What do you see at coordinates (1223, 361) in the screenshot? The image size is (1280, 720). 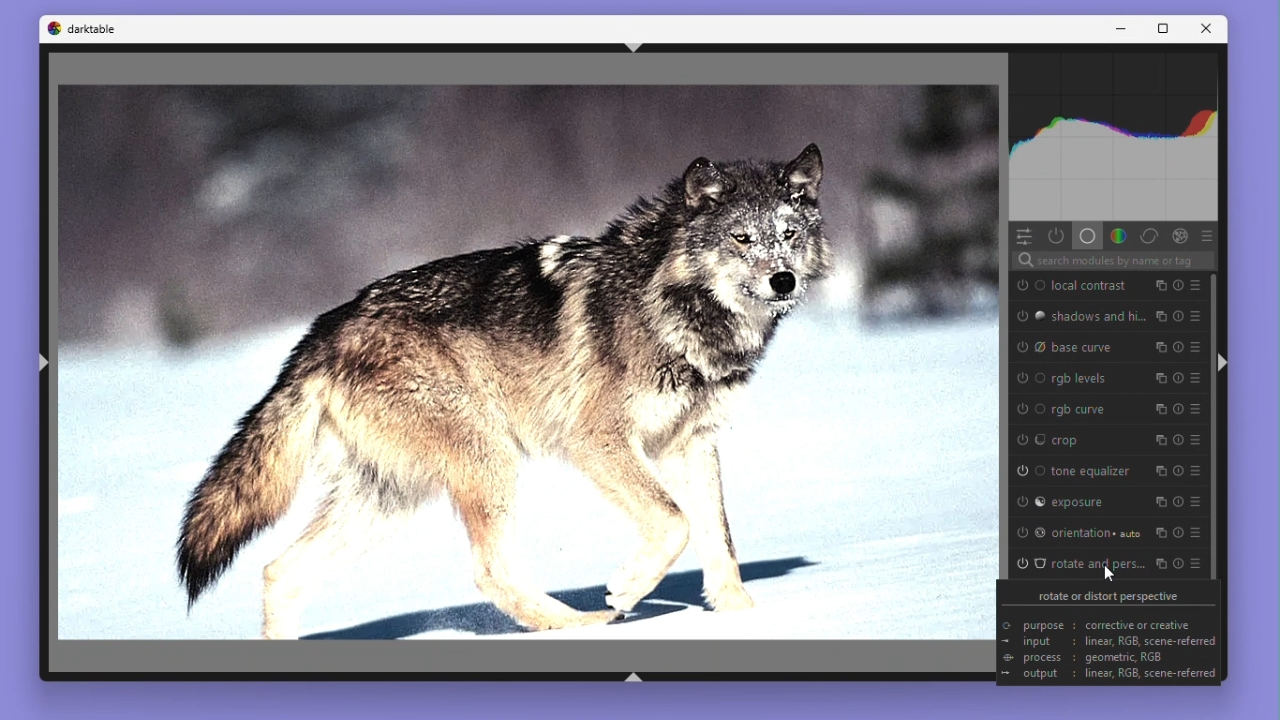 I see `Shift + ctrl + r` at bounding box center [1223, 361].